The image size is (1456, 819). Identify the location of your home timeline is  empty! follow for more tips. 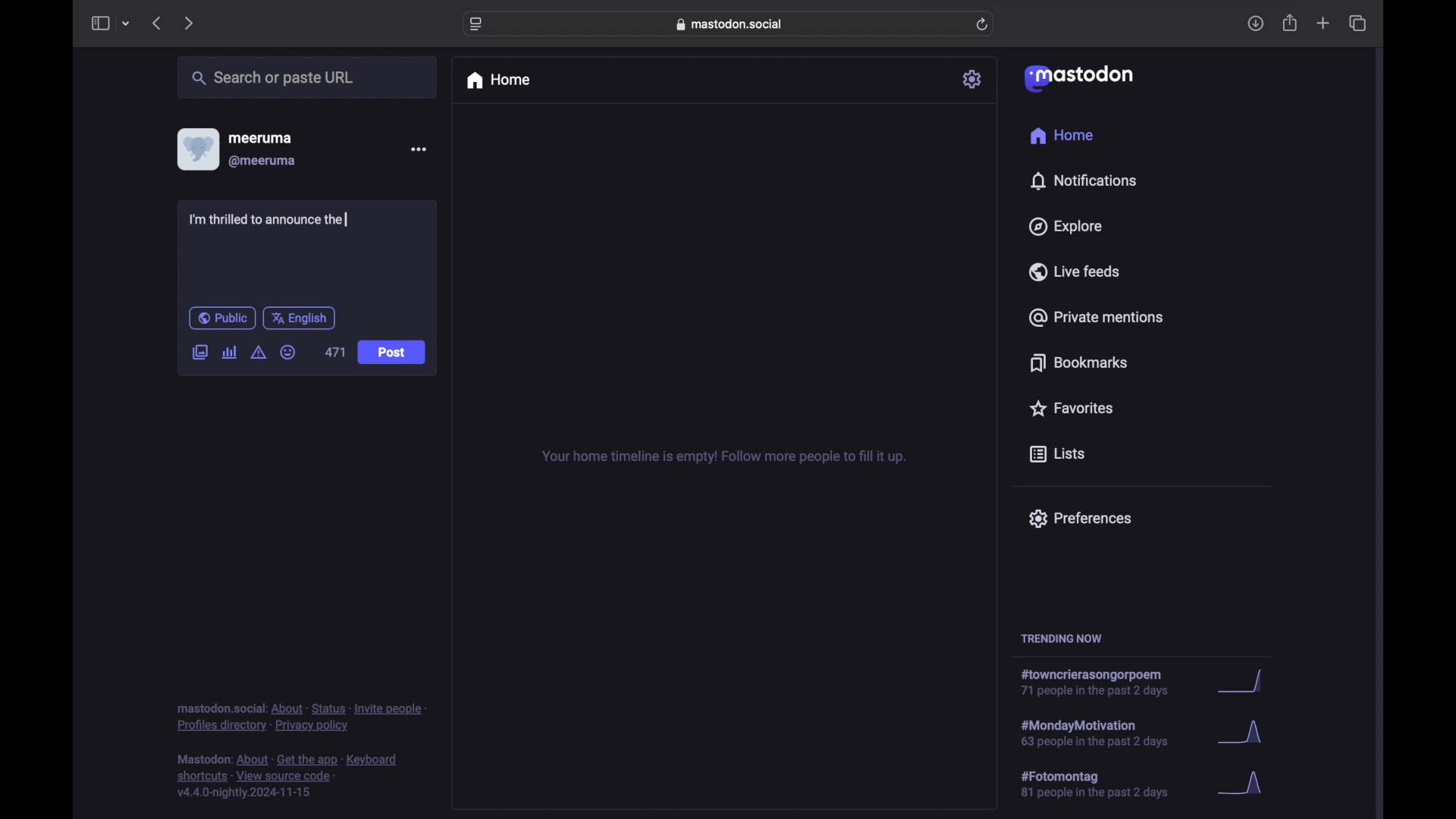
(722, 457).